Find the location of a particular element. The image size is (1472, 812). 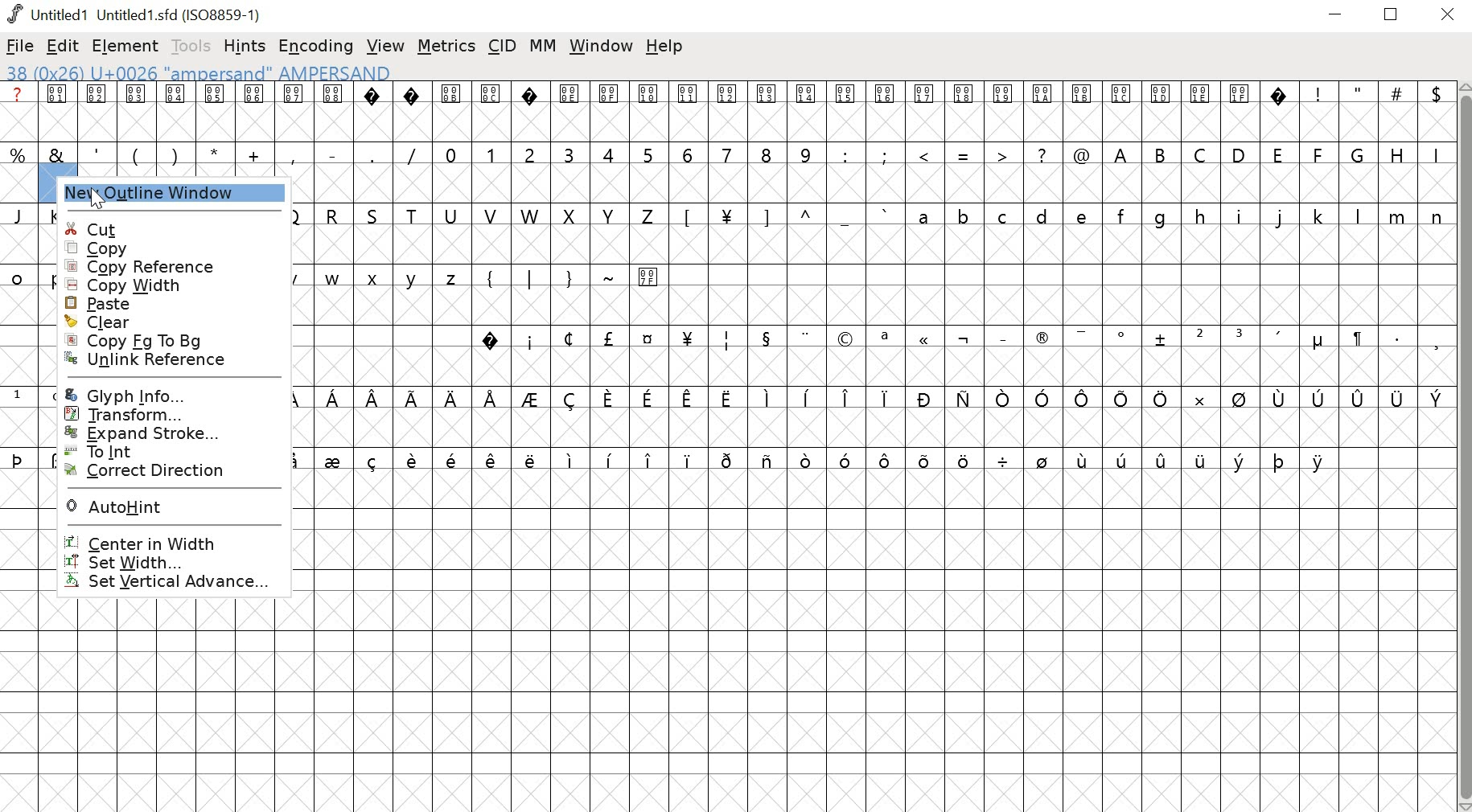

l is located at coordinates (1359, 215).